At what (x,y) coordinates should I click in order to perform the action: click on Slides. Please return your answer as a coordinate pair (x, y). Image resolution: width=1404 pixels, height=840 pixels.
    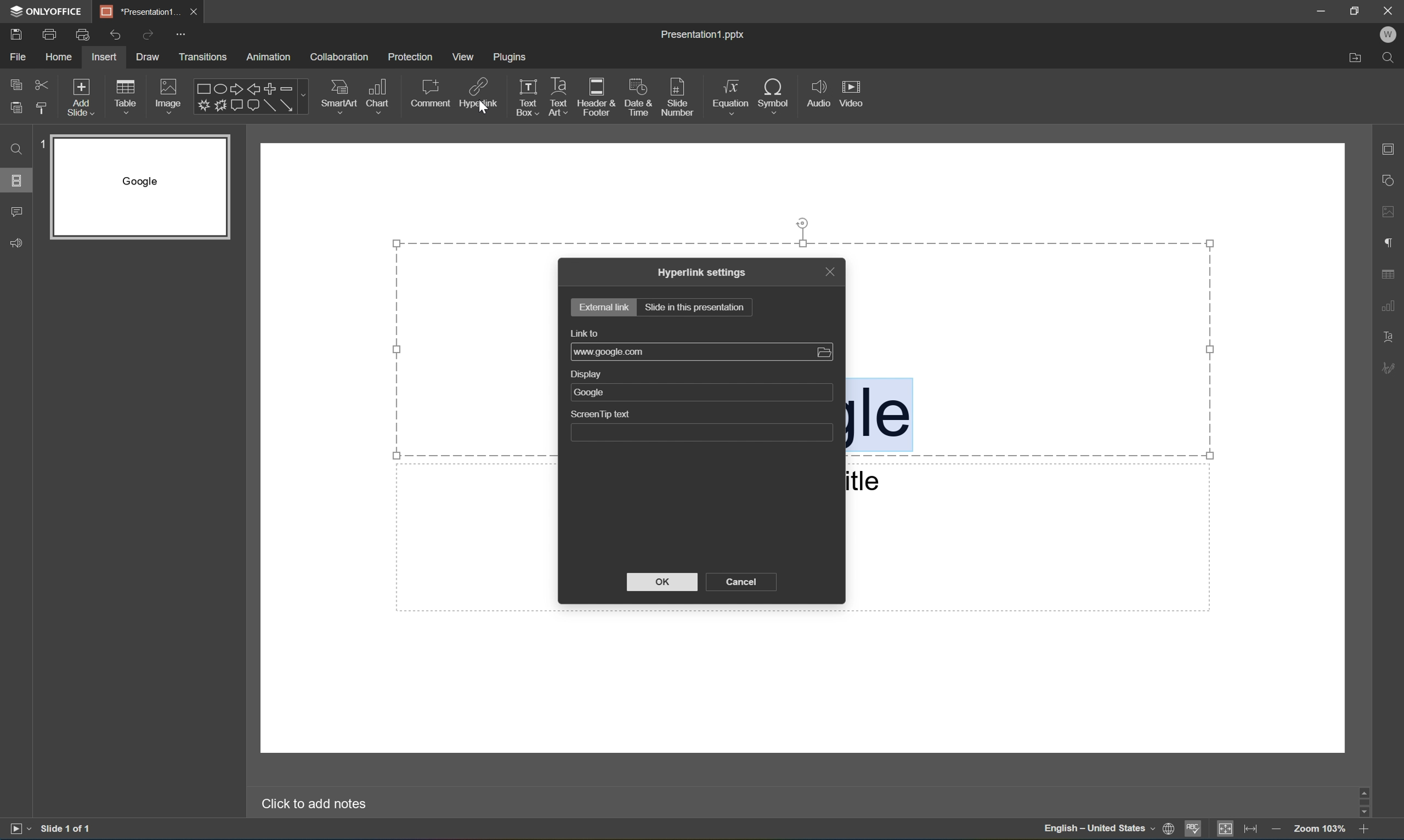
    Looking at the image, I should click on (16, 179).